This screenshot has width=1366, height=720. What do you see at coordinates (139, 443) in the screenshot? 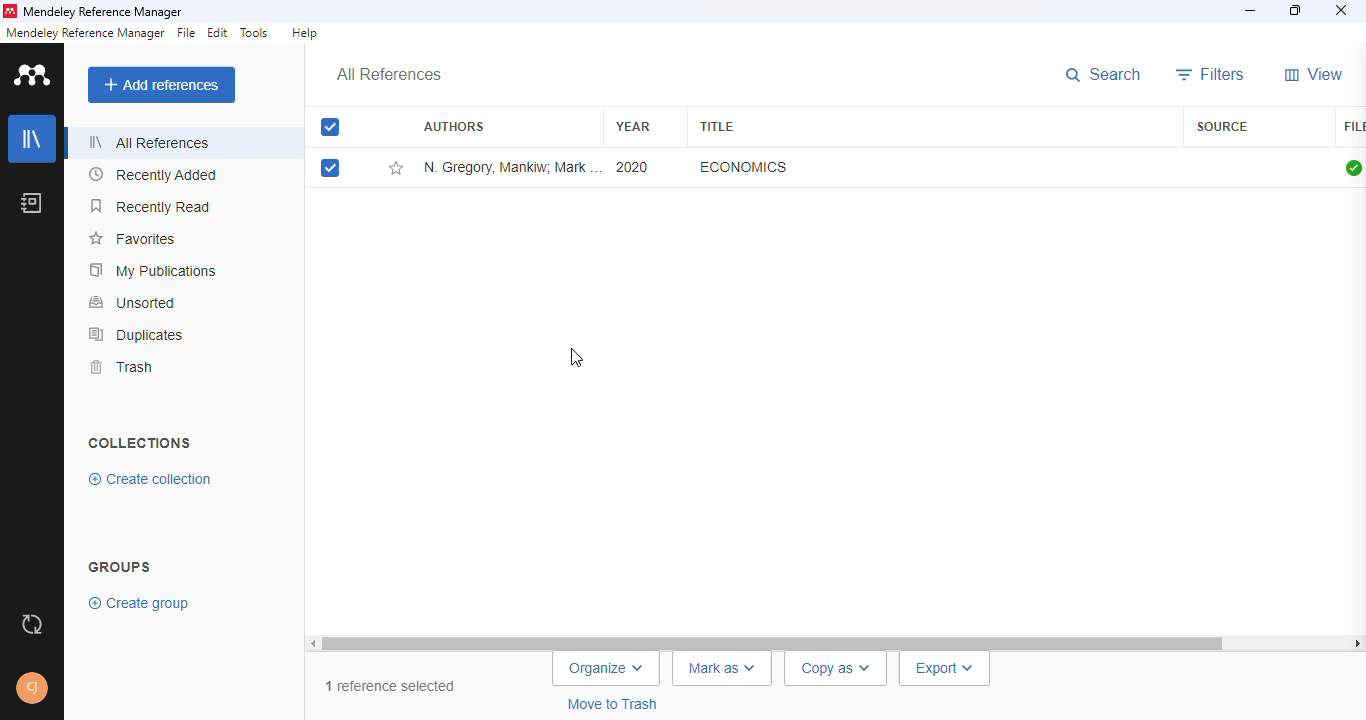
I see `collections` at bounding box center [139, 443].